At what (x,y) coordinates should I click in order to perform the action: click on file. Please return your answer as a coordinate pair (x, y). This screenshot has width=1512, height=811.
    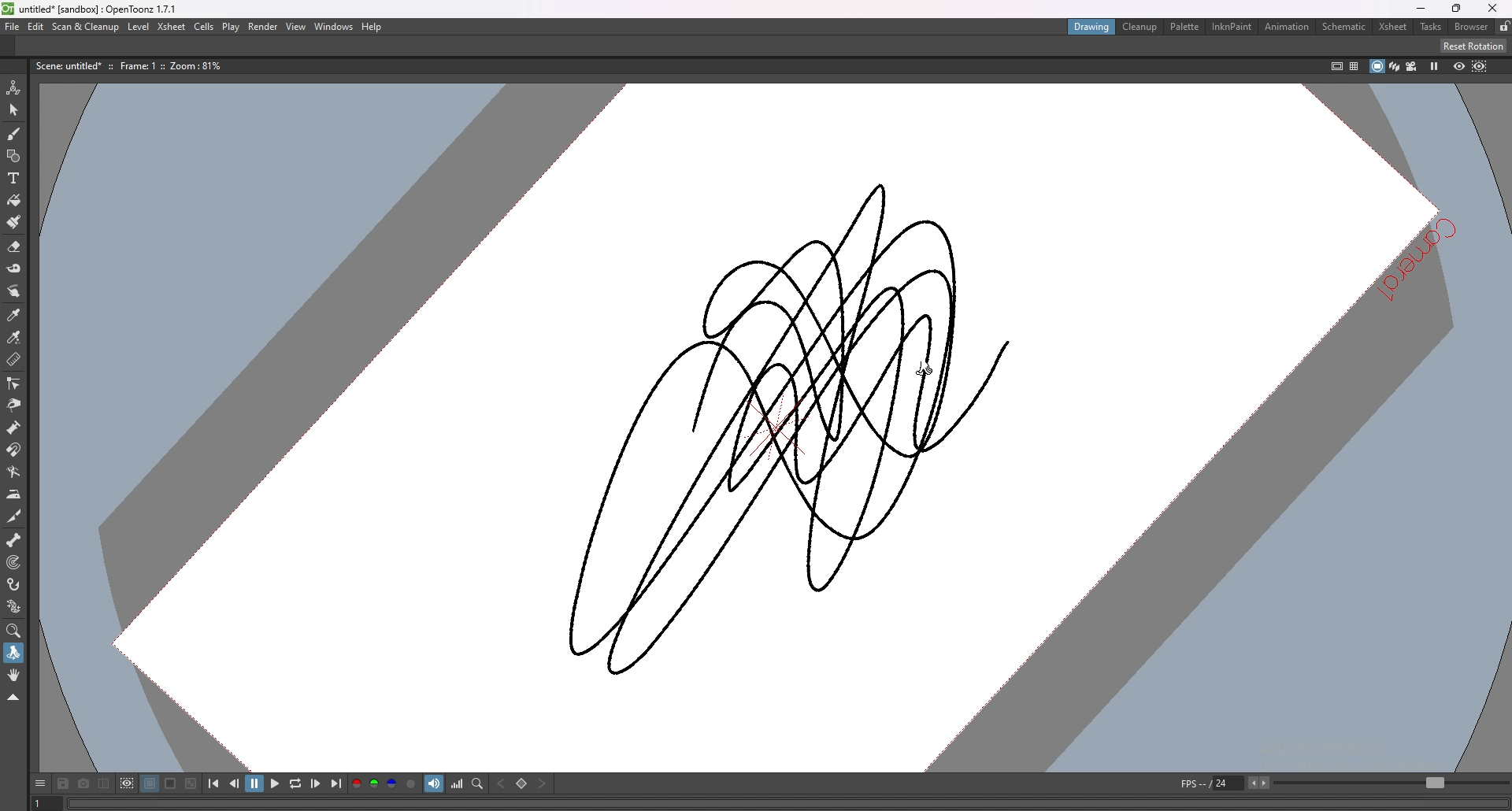
    Looking at the image, I should click on (12, 27).